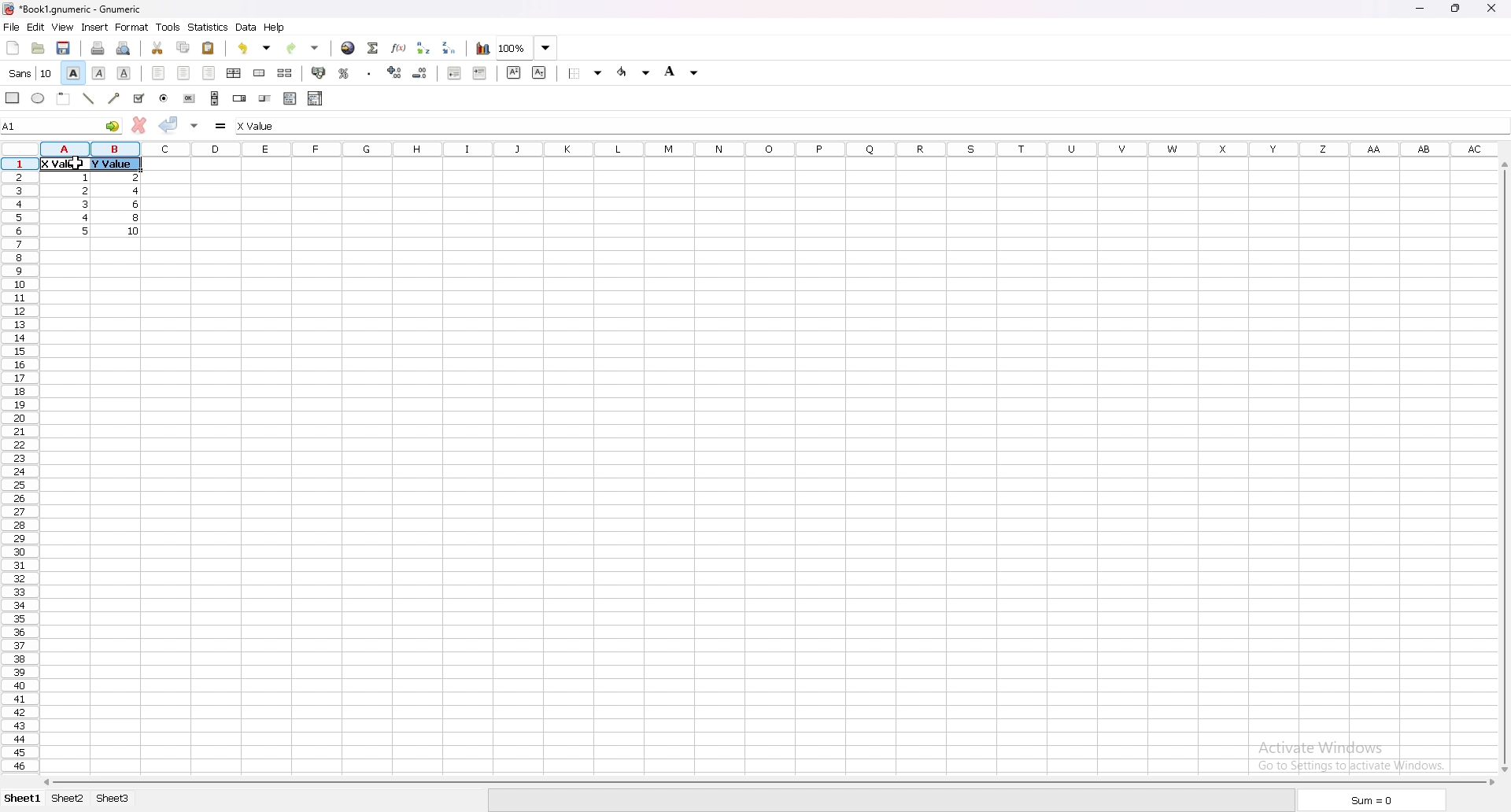  I want to click on decrease decimals, so click(420, 73).